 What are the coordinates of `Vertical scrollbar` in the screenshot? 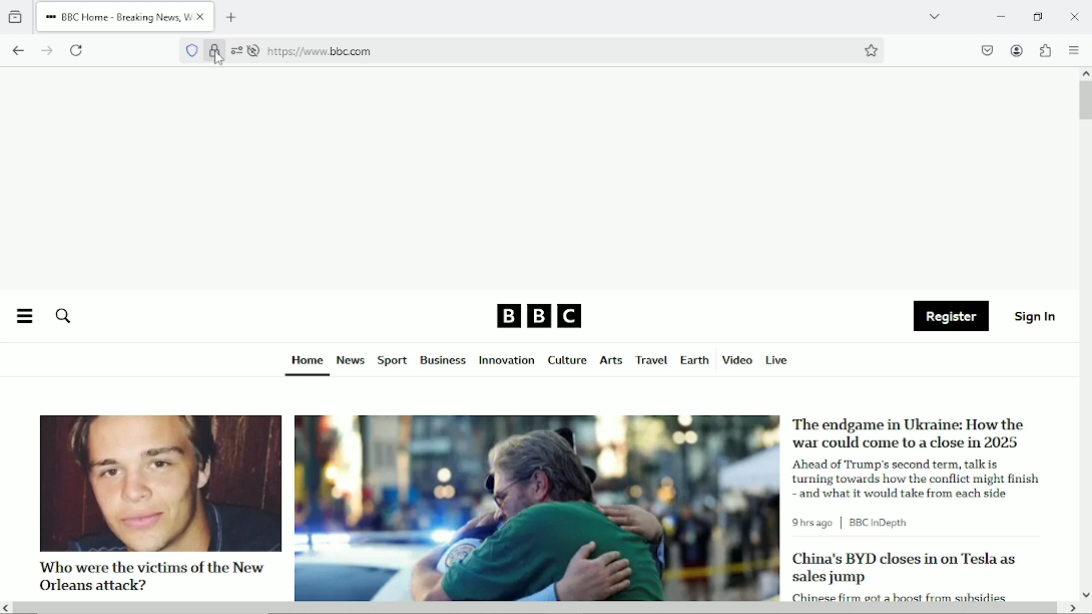 It's located at (1085, 101).